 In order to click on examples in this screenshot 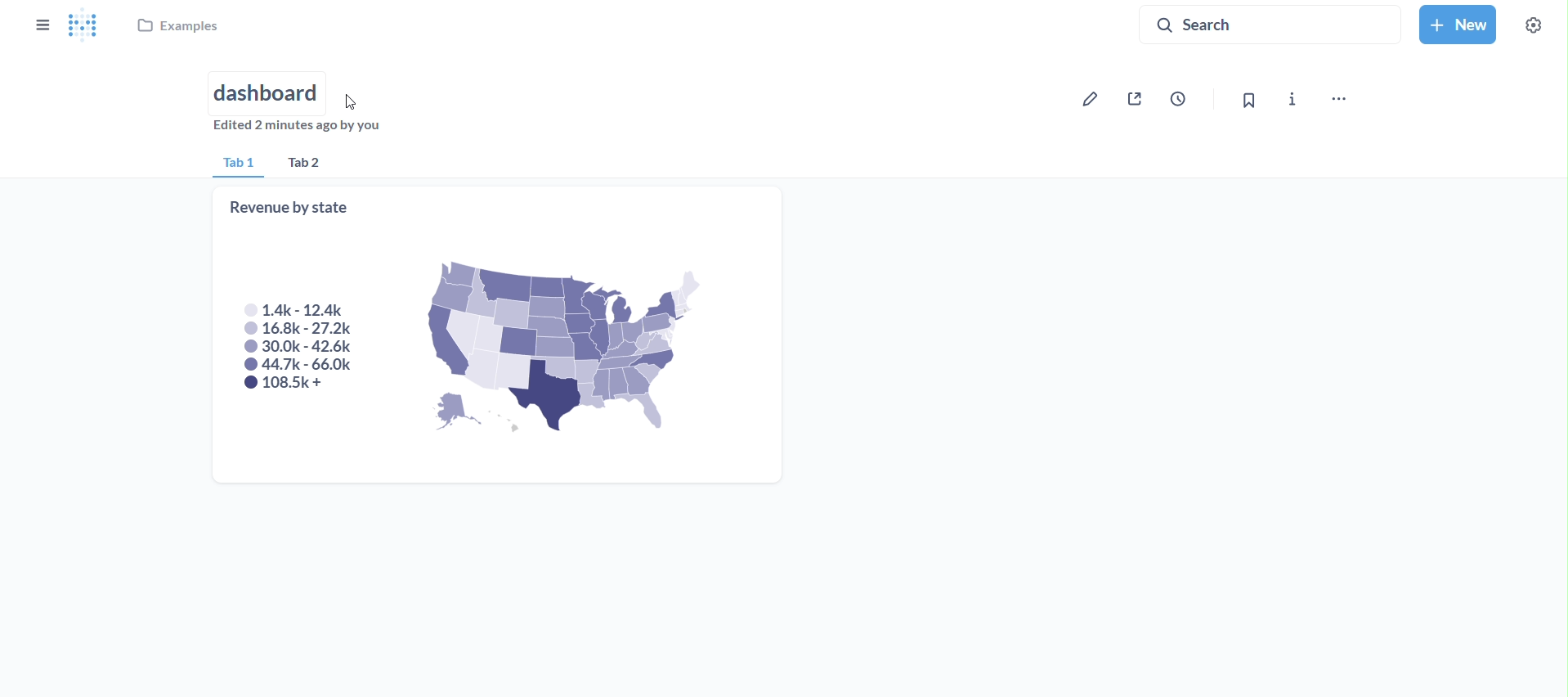, I will do `click(181, 29)`.